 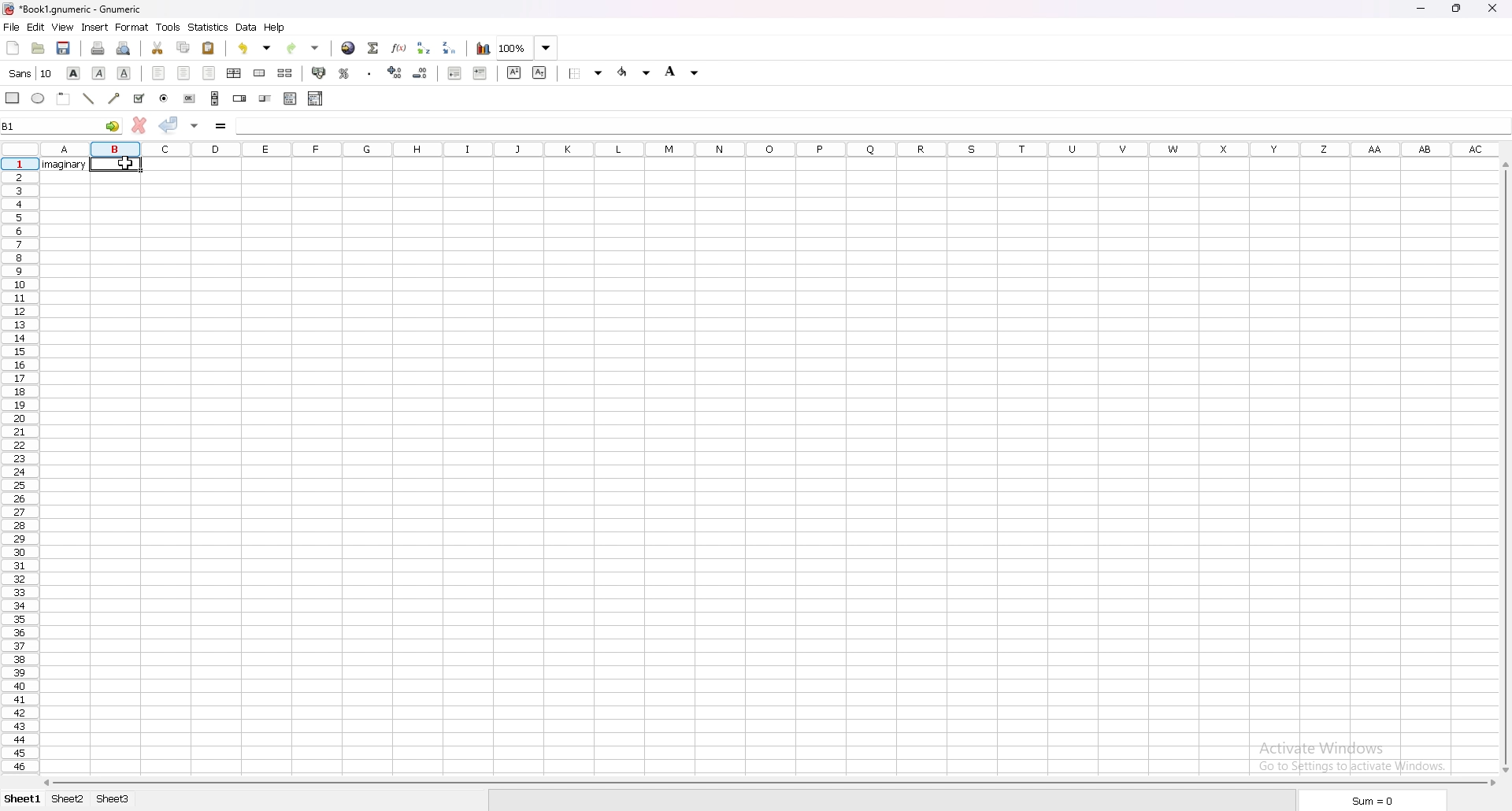 What do you see at coordinates (194, 126) in the screenshot?
I see `accept changes in all cells` at bounding box center [194, 126].